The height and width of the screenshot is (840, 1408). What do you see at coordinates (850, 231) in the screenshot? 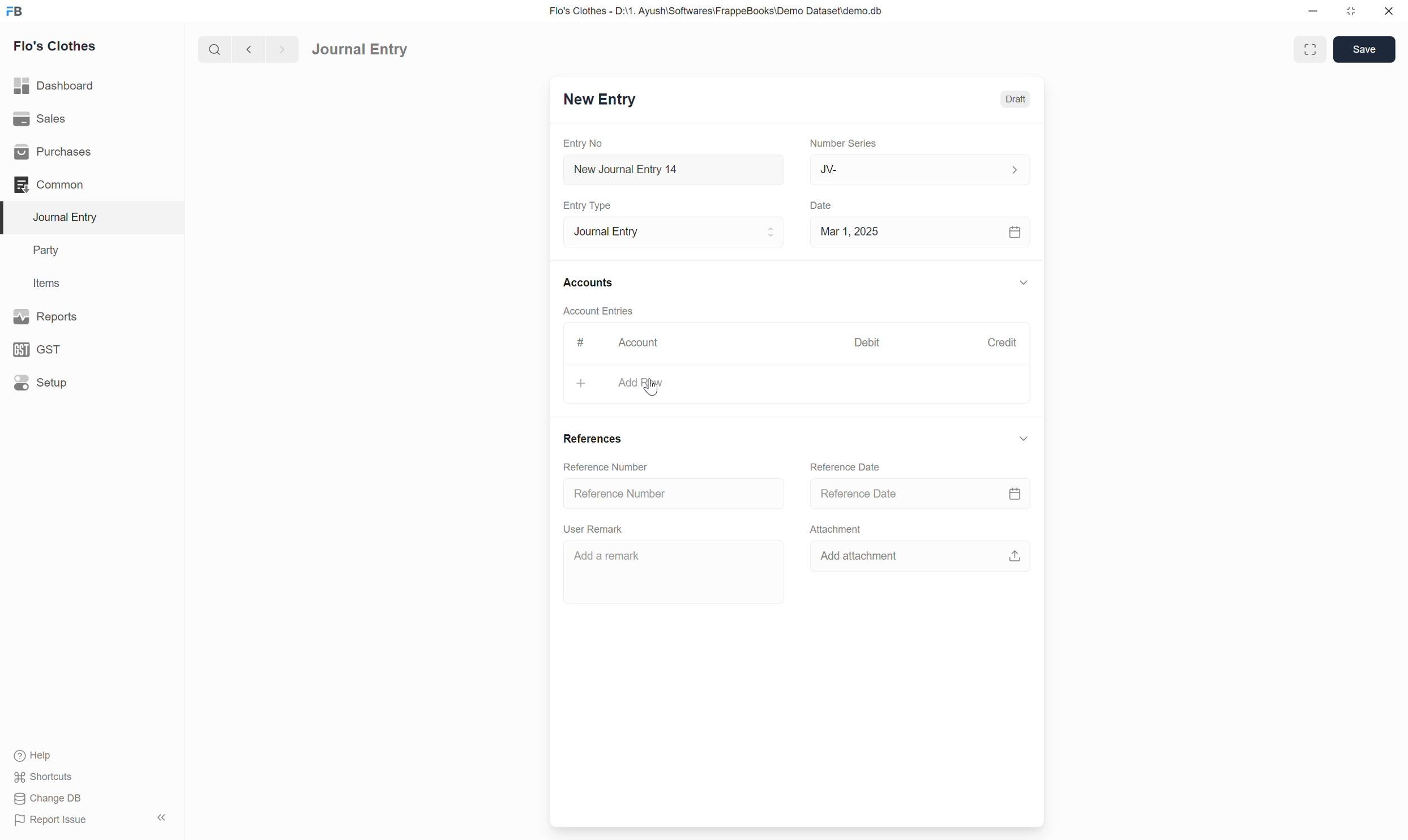
I see `Mar 1, 2025` at bounding box center [850, 231].